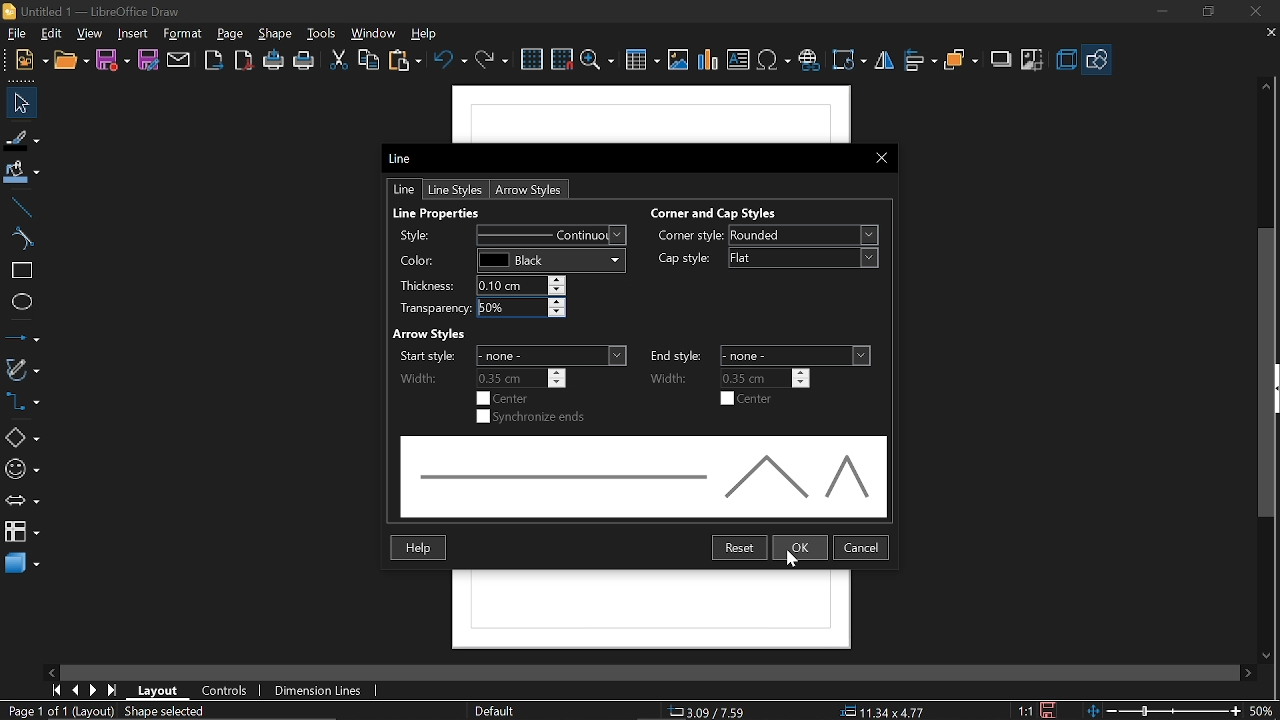 The width and height of the screenshot is (1280, 720). What do you see at coordinates (531, 417) in the screenshot?
I see `Synchronize ends` at bounding box center [531, 417].